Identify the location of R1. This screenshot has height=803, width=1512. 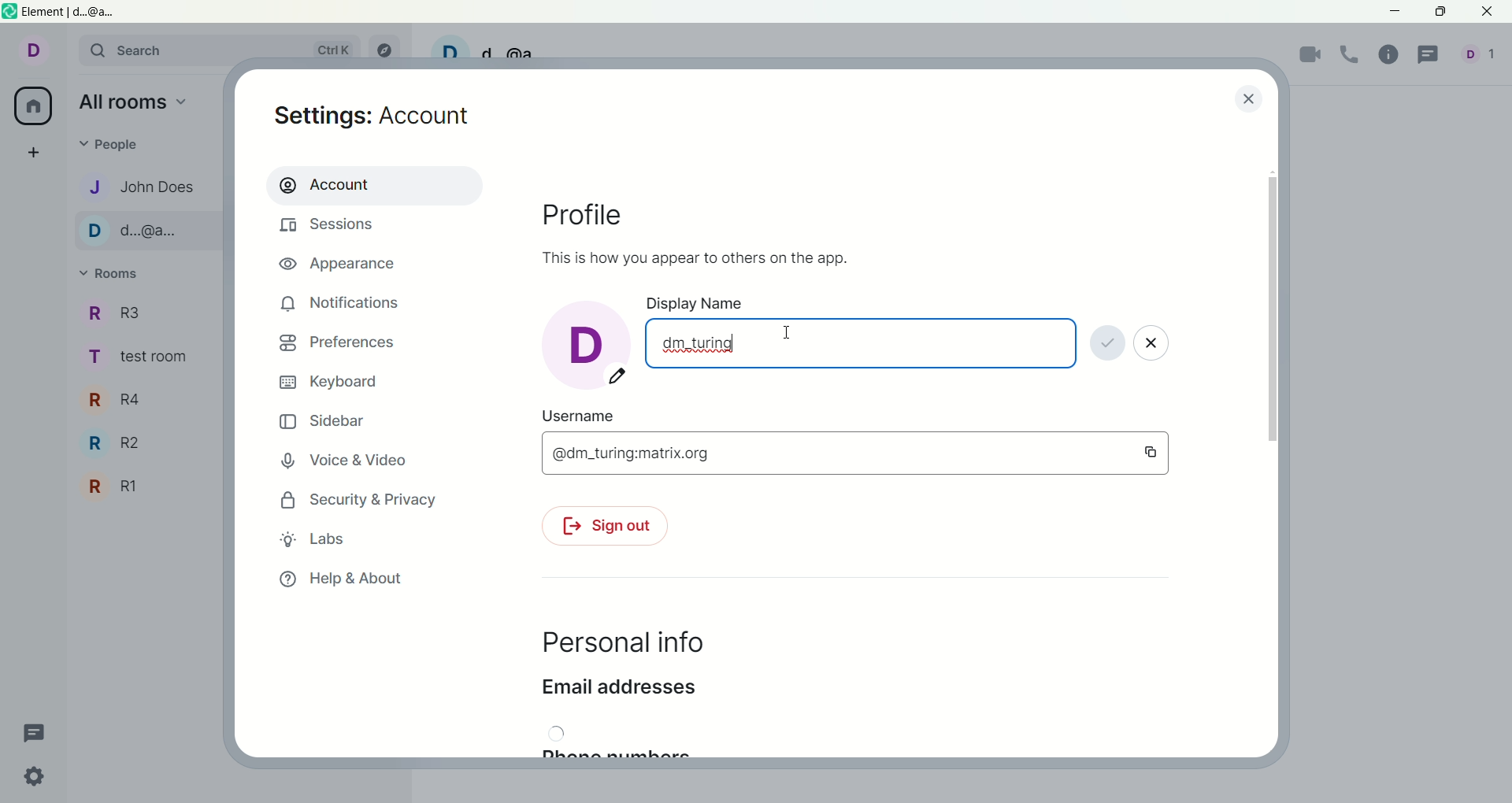
(115, 487).